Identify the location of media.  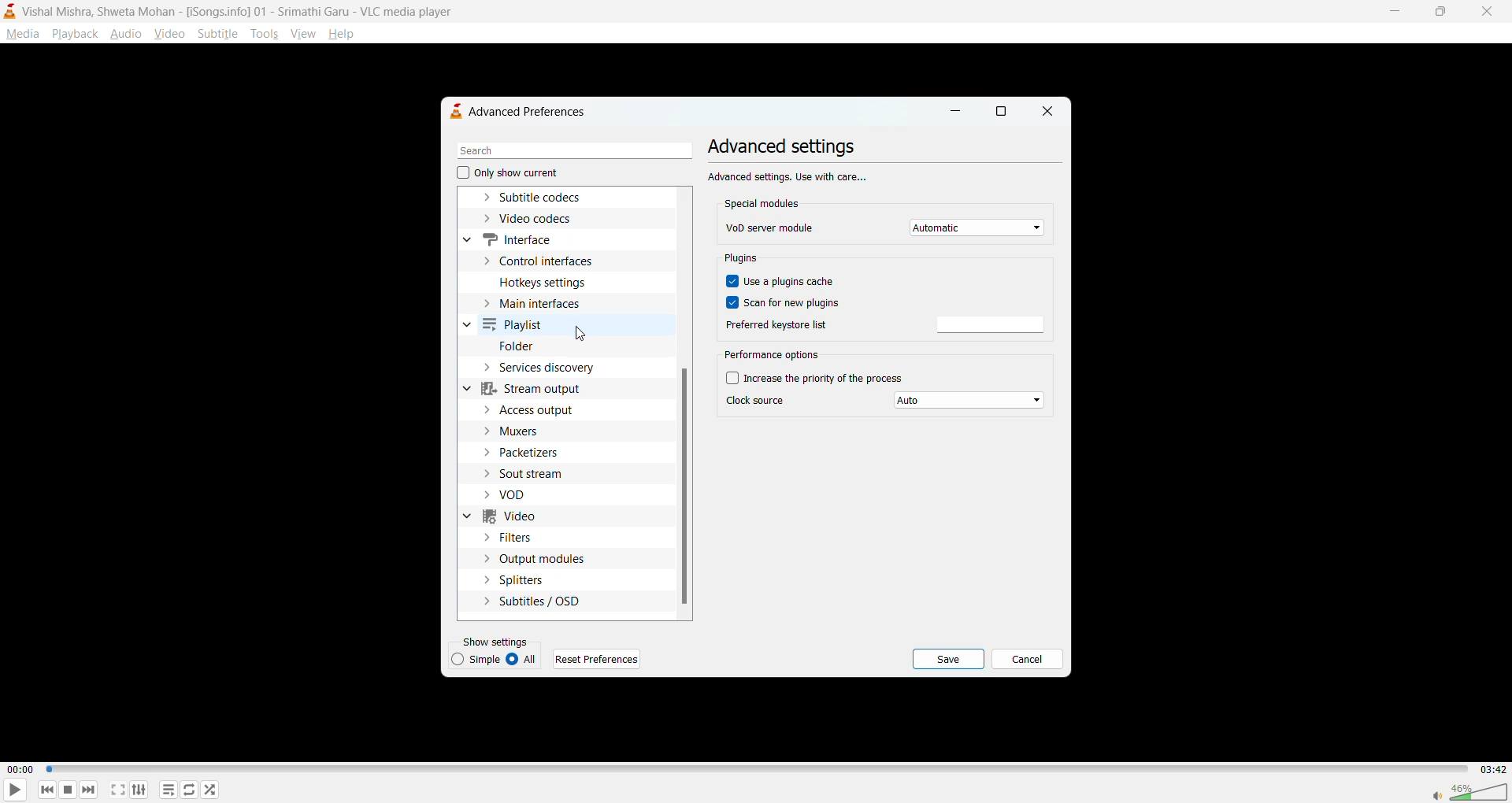
(22, 34).